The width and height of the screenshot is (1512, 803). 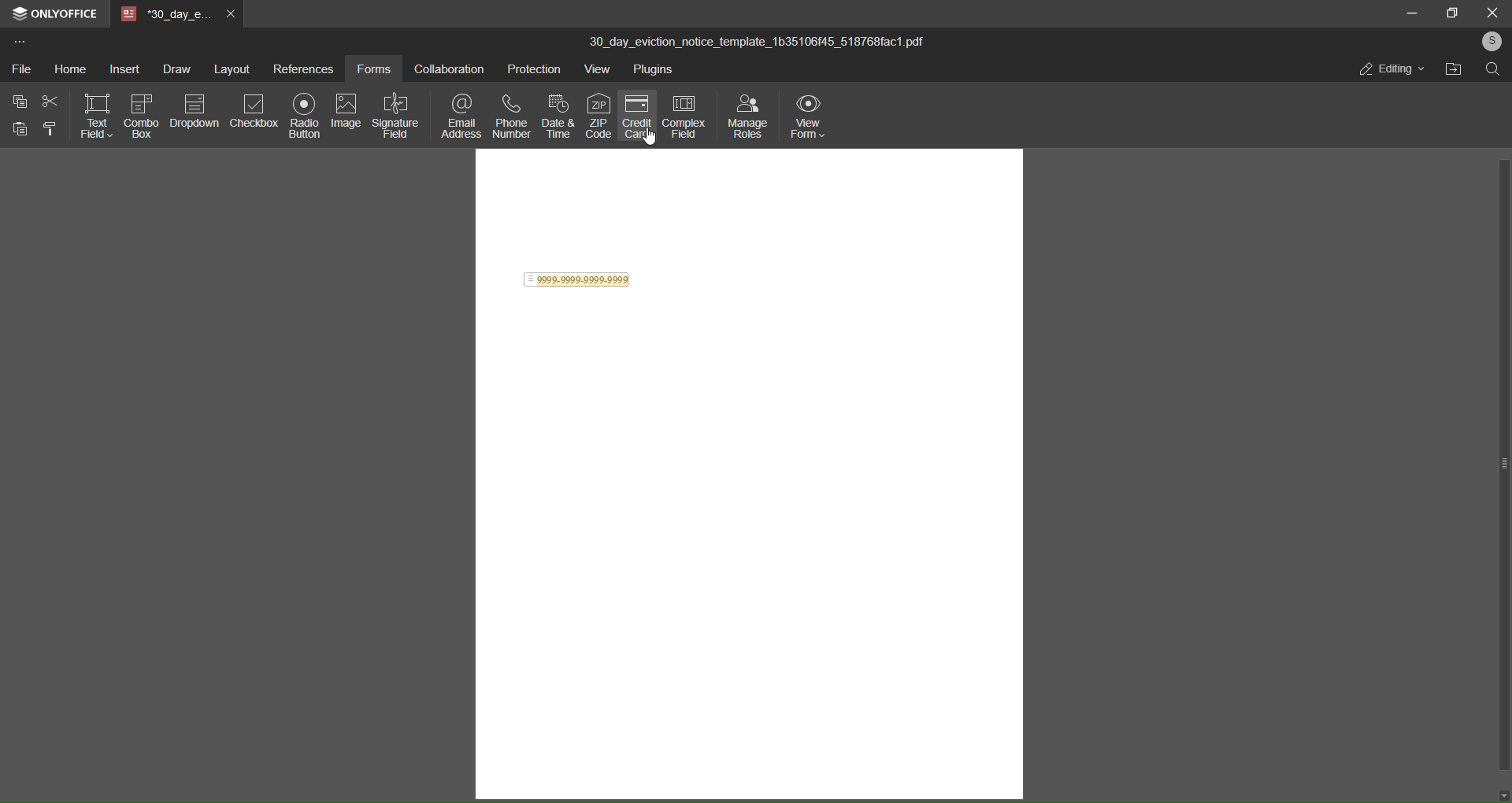 What do you see at coordinates (1451, 13) in the screenshot?
I see `maximize` at bounding box center [1451, 13].